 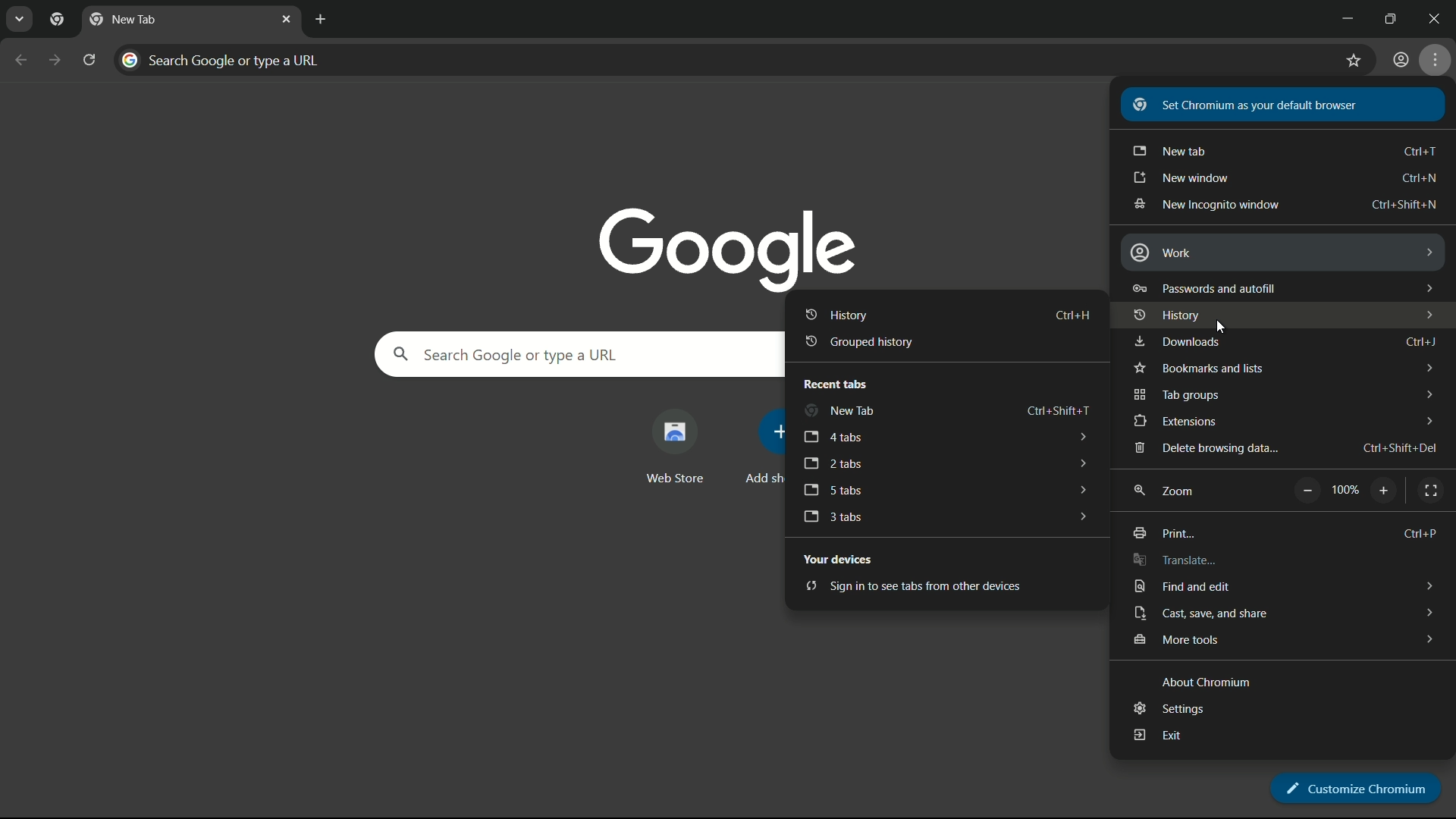 I want to click on bookmark , so click(x=1348, y=64).